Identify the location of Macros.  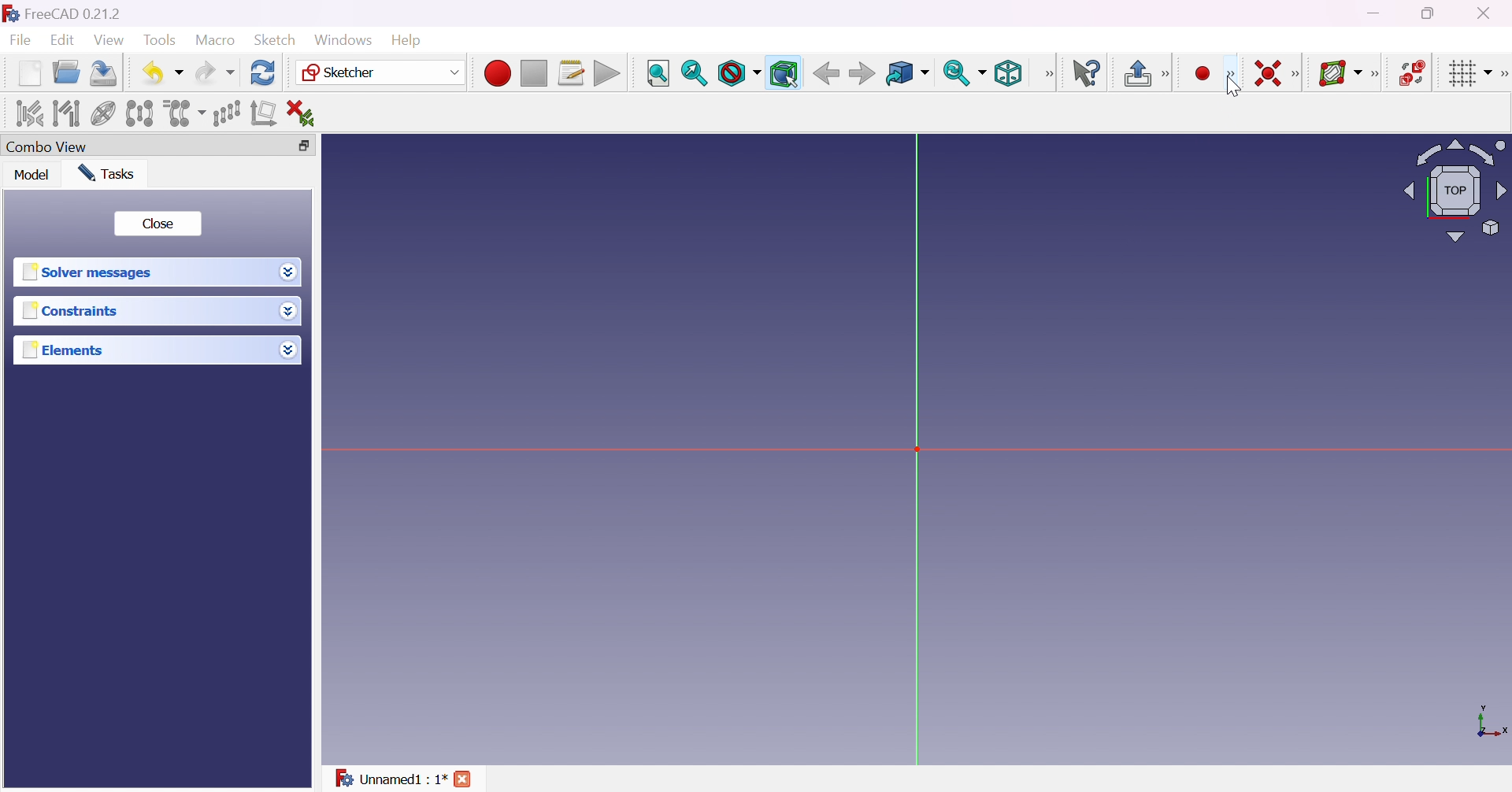
(572, 73).